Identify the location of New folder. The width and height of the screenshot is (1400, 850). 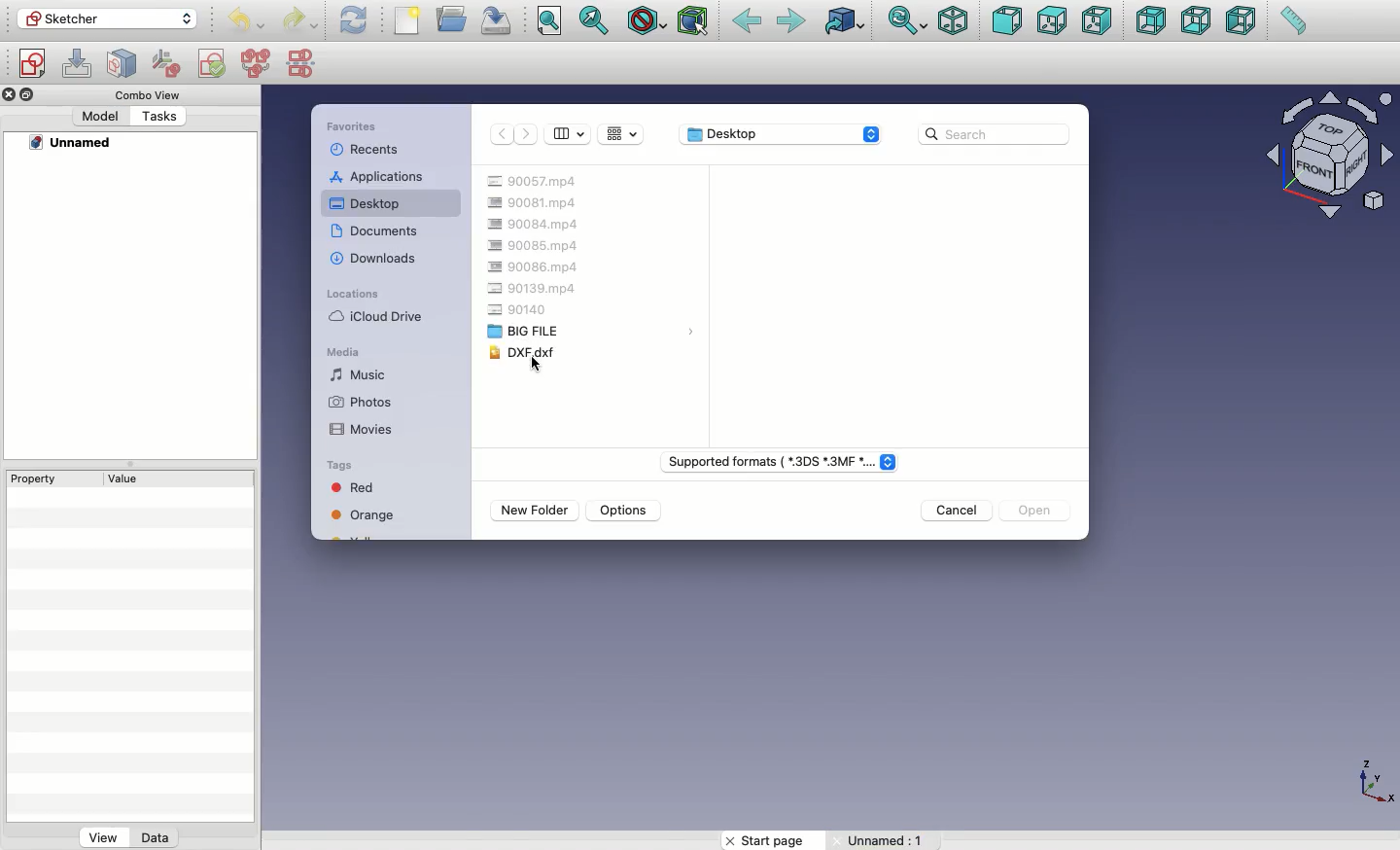
(539, 511).